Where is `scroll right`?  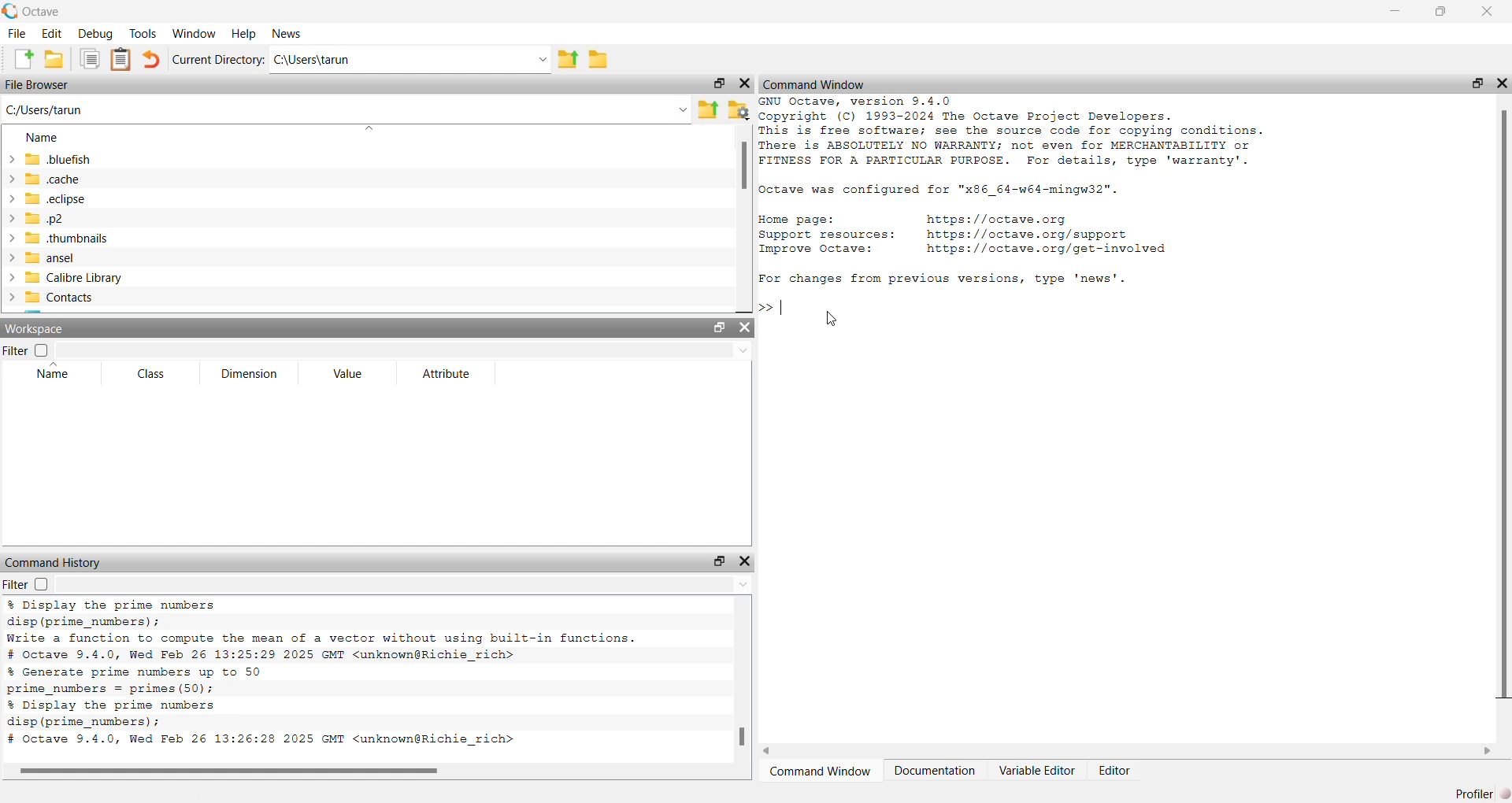
scroll right is located at coordinates (1488, 751).